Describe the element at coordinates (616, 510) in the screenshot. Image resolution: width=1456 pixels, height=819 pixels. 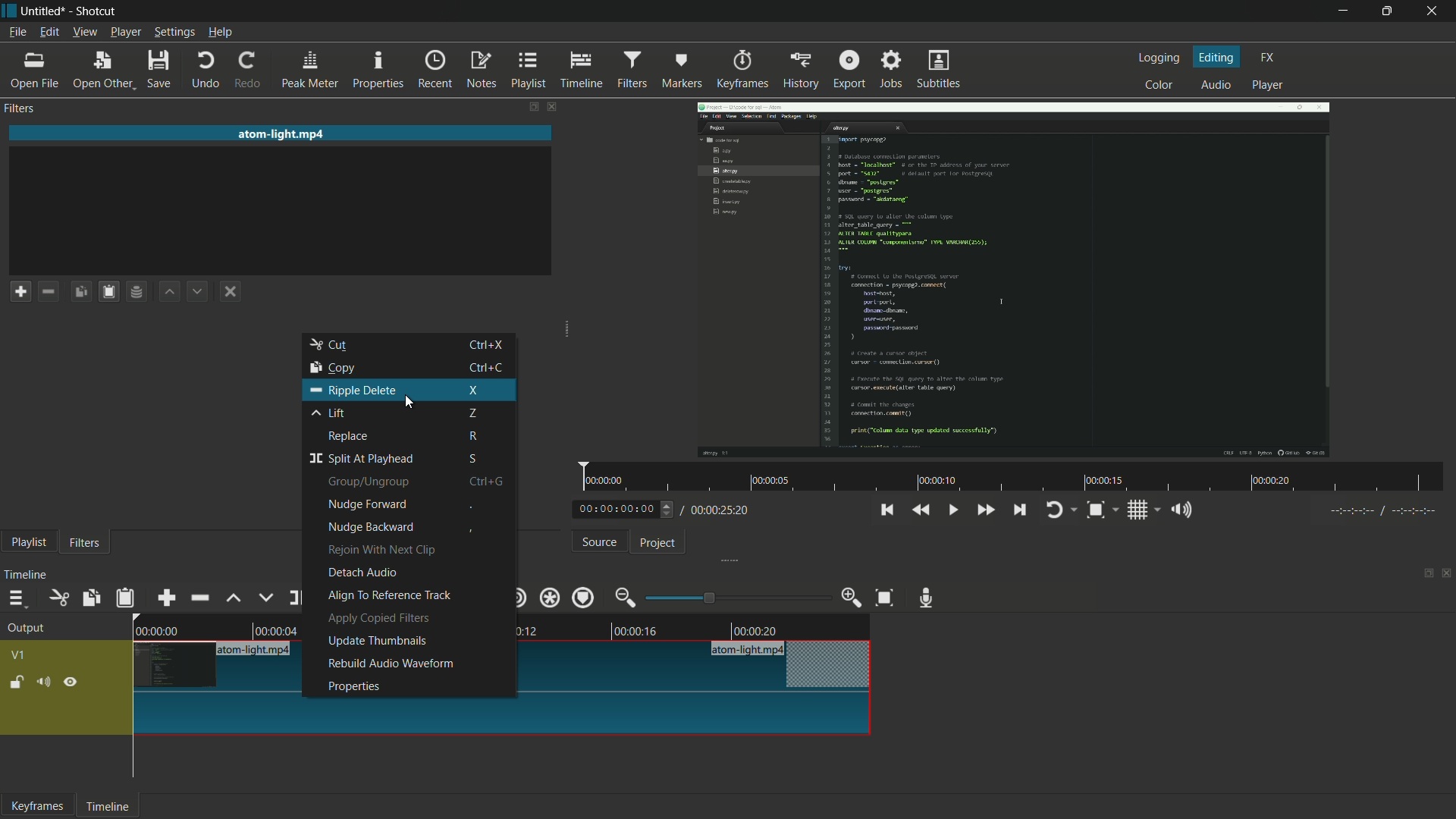
I see `current time` at that location.